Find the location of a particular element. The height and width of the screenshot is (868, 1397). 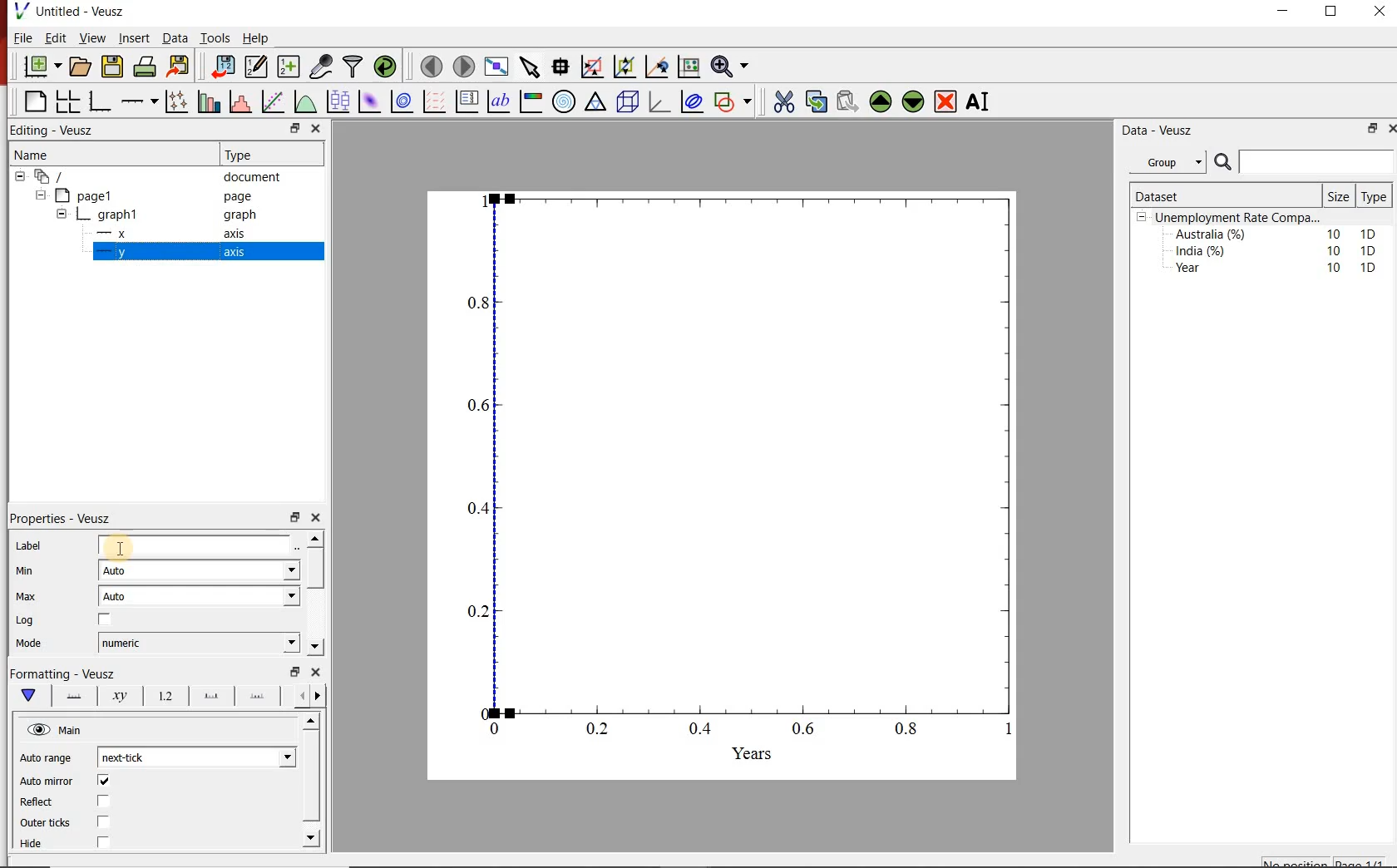

Data - Veusz is located at coordinates (1173, 131).